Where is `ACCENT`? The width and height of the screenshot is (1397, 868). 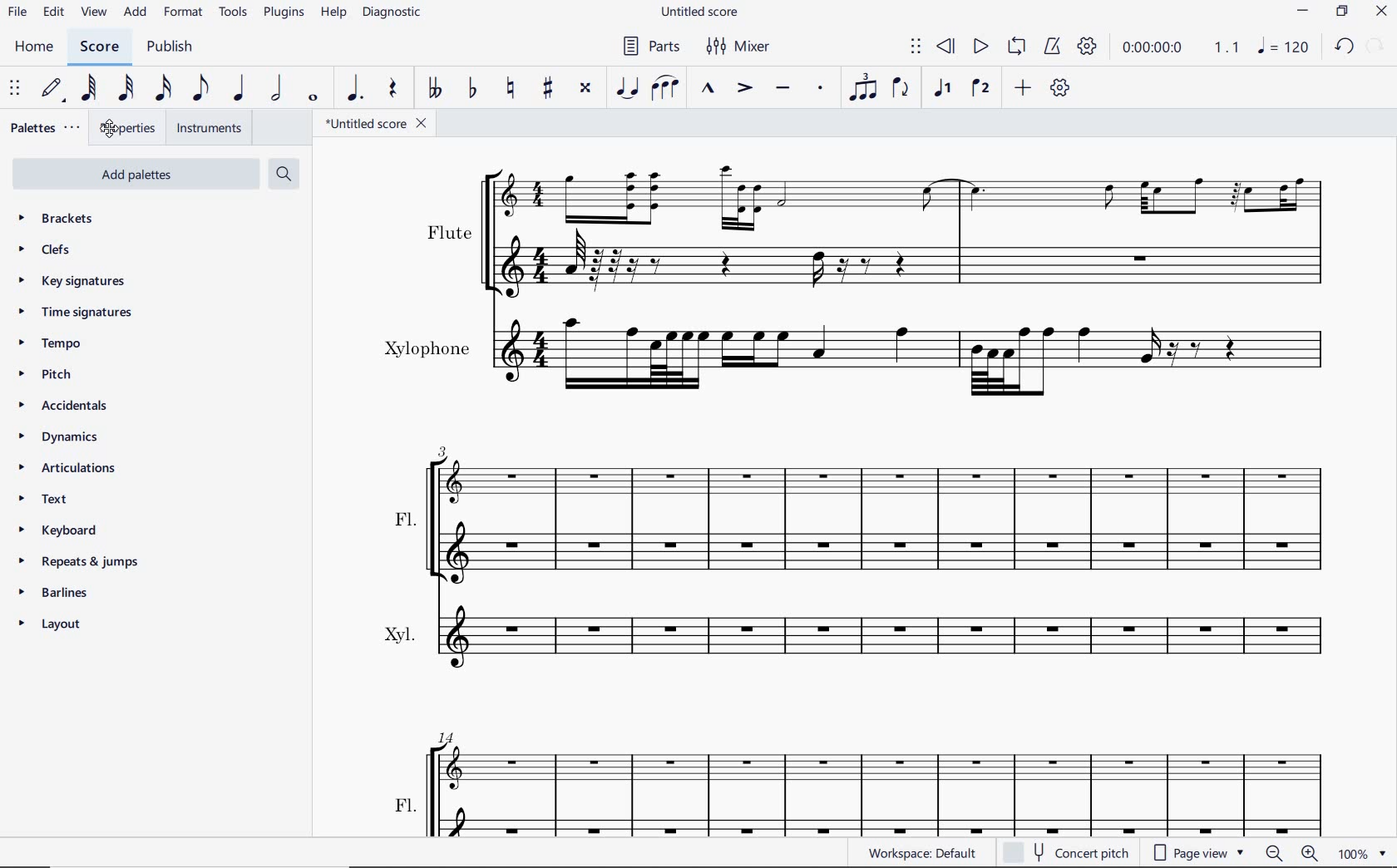
ACCENT is located at coordinates (746, 88).